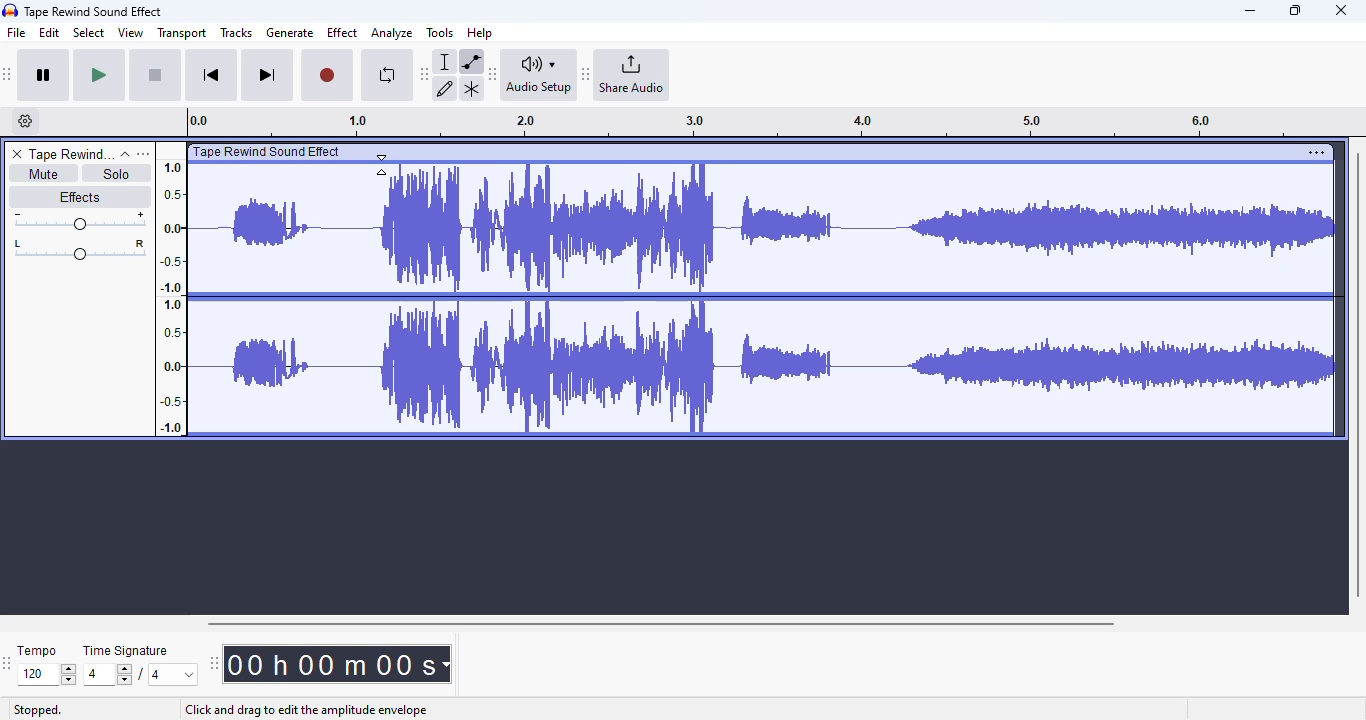 Image resolution: width=1366 pixels, height=720 pixels. What do you see at coordinates (155, 76) in the screenshot?
I see `stop` at bounding box center [155, 76].